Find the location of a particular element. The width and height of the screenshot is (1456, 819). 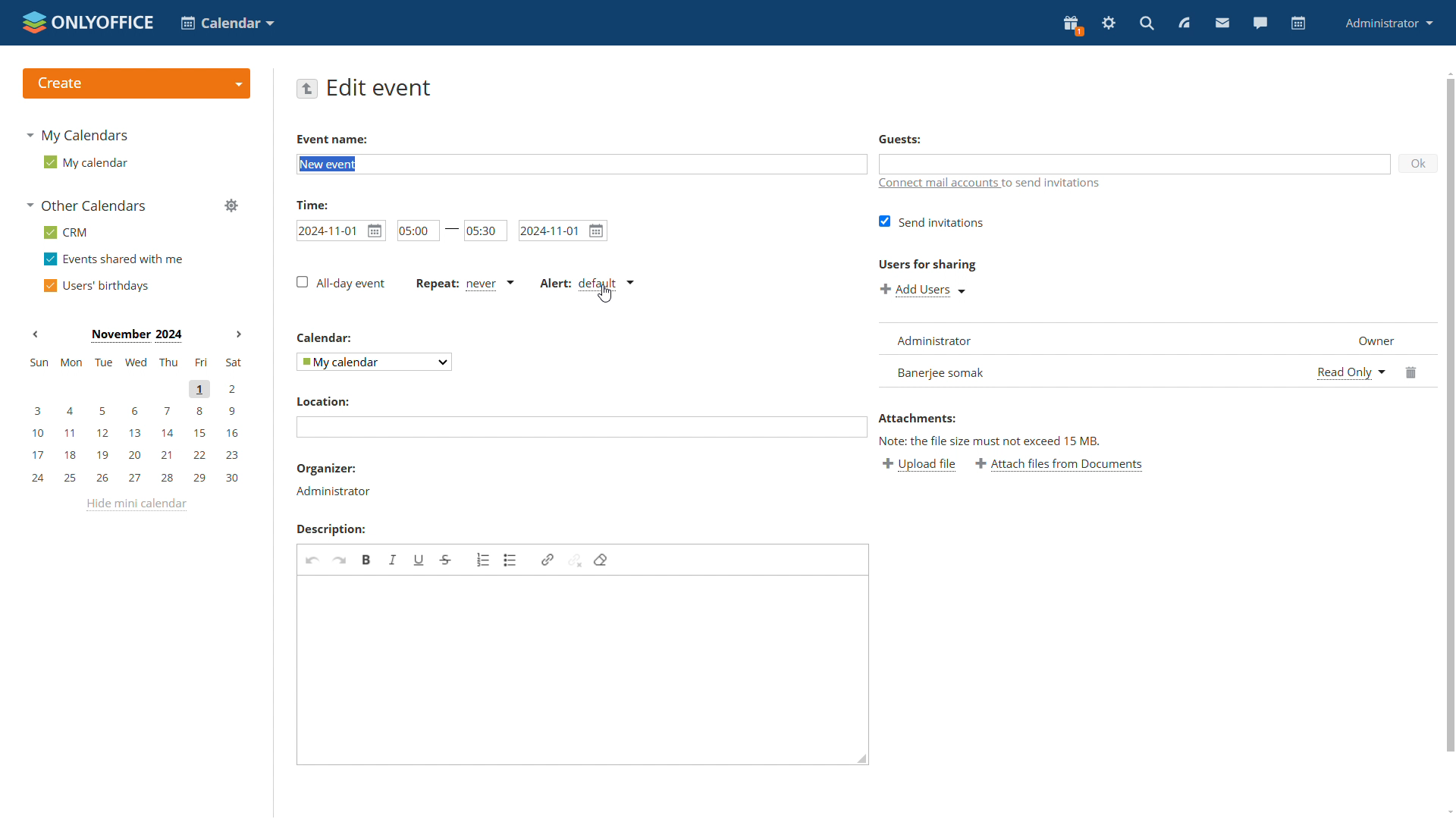

edit location is located at coordinates (581, 427).